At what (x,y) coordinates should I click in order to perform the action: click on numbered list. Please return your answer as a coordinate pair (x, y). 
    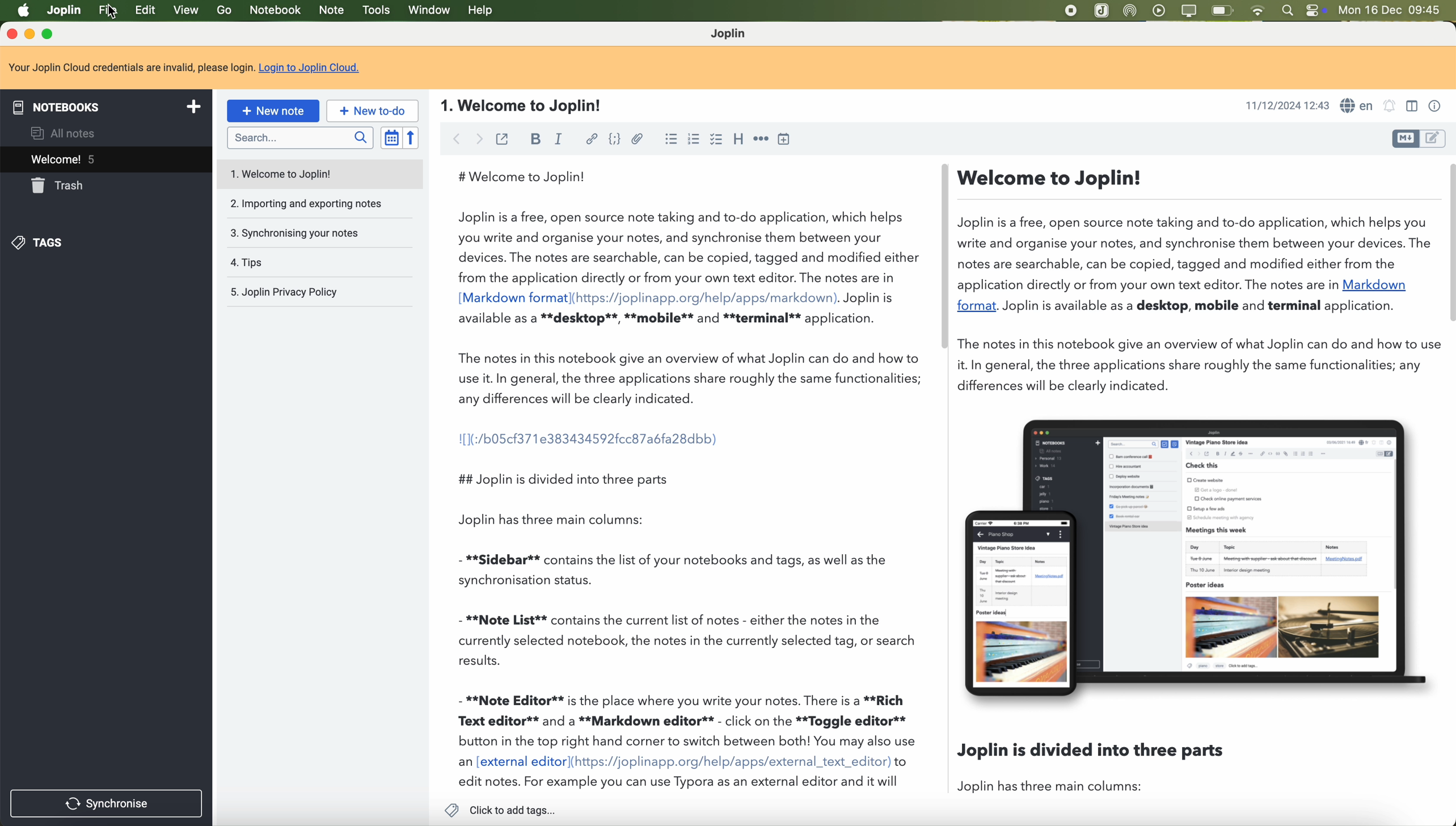
    Looking at the image, I should click on (695, 140).